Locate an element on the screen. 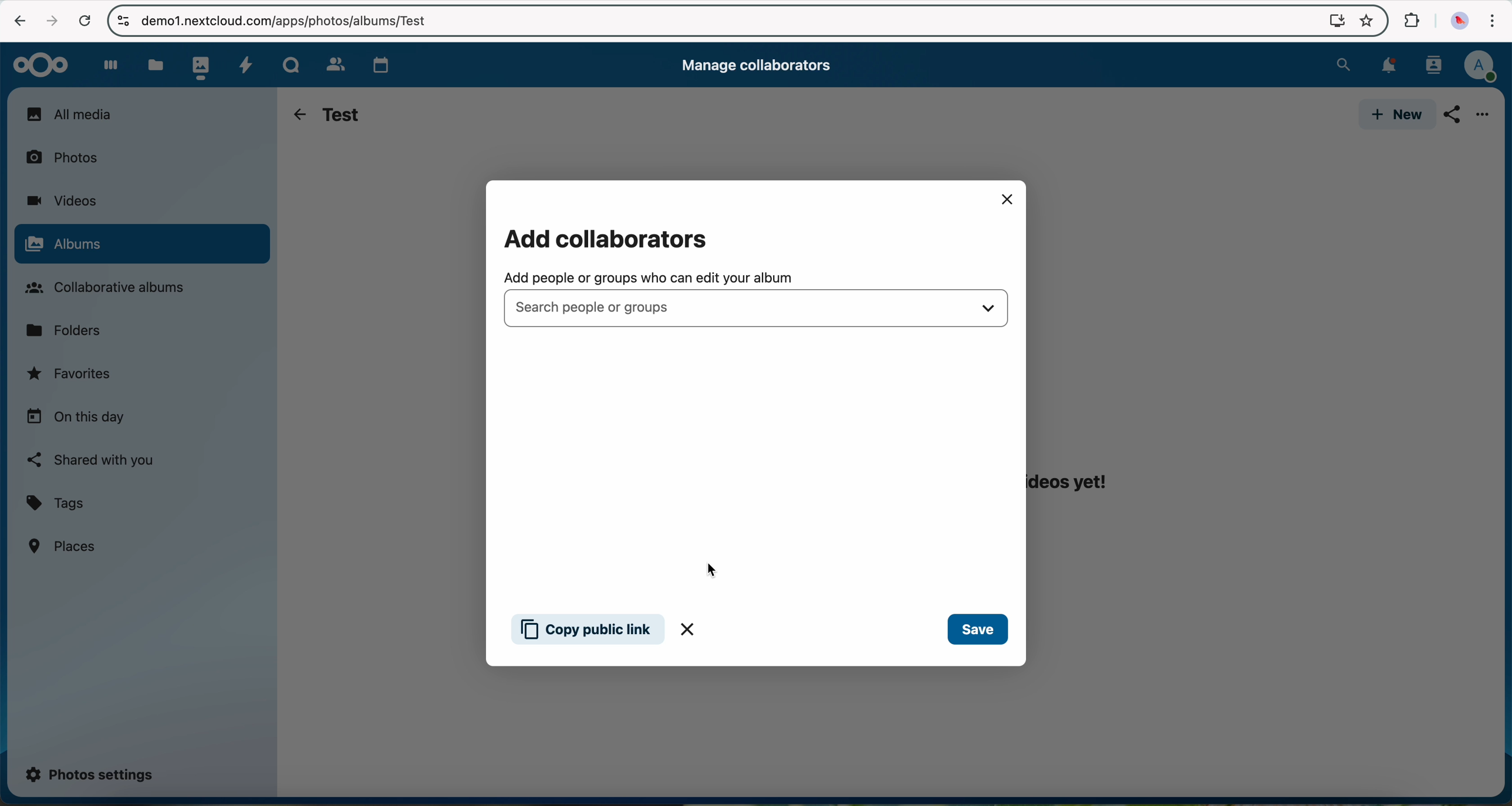 This screenshot has width=1512, height=806. more options is located at coordinates (1484, 117).